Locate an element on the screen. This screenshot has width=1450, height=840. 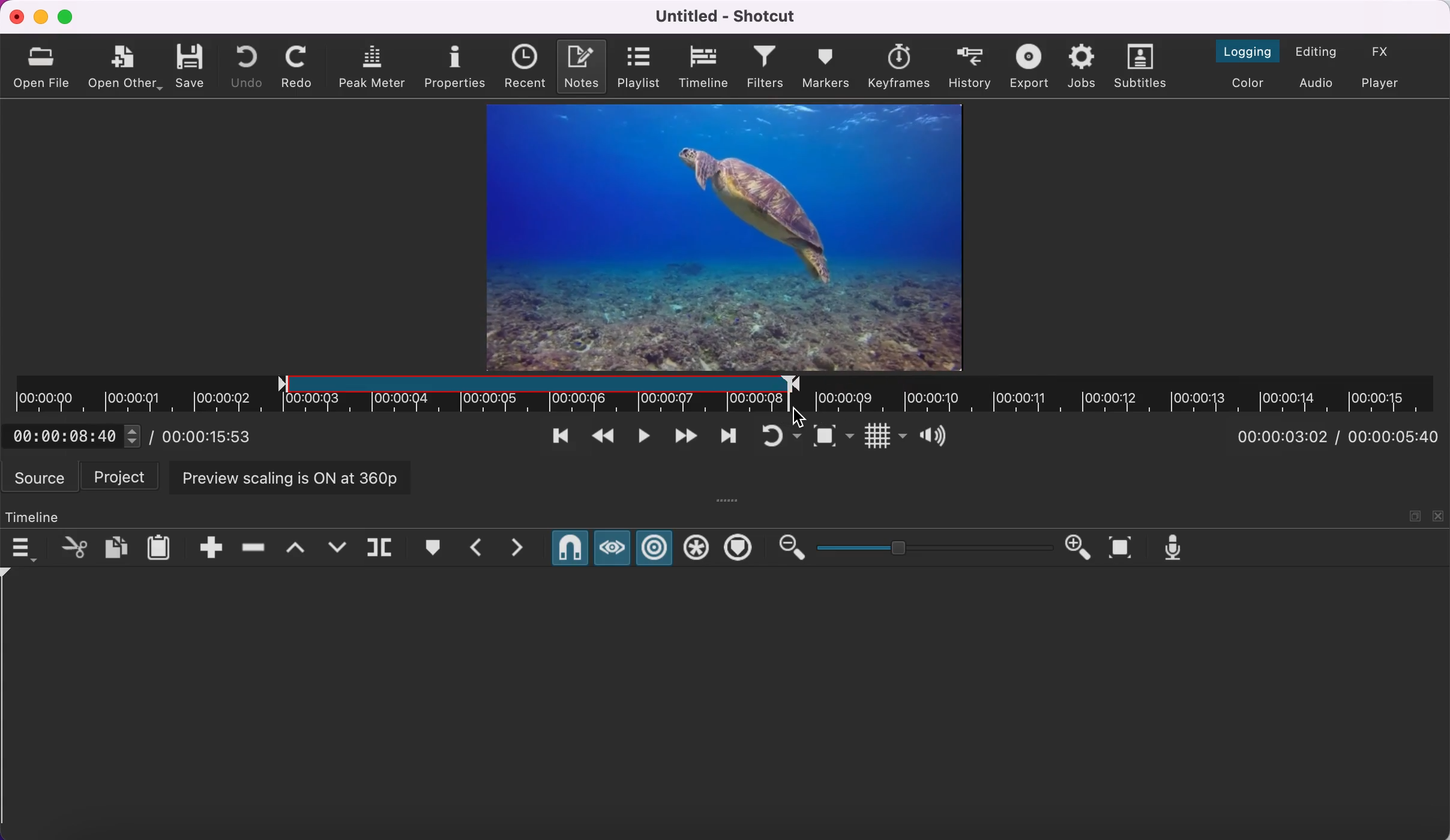
snap is located at coordinates (568, 548).